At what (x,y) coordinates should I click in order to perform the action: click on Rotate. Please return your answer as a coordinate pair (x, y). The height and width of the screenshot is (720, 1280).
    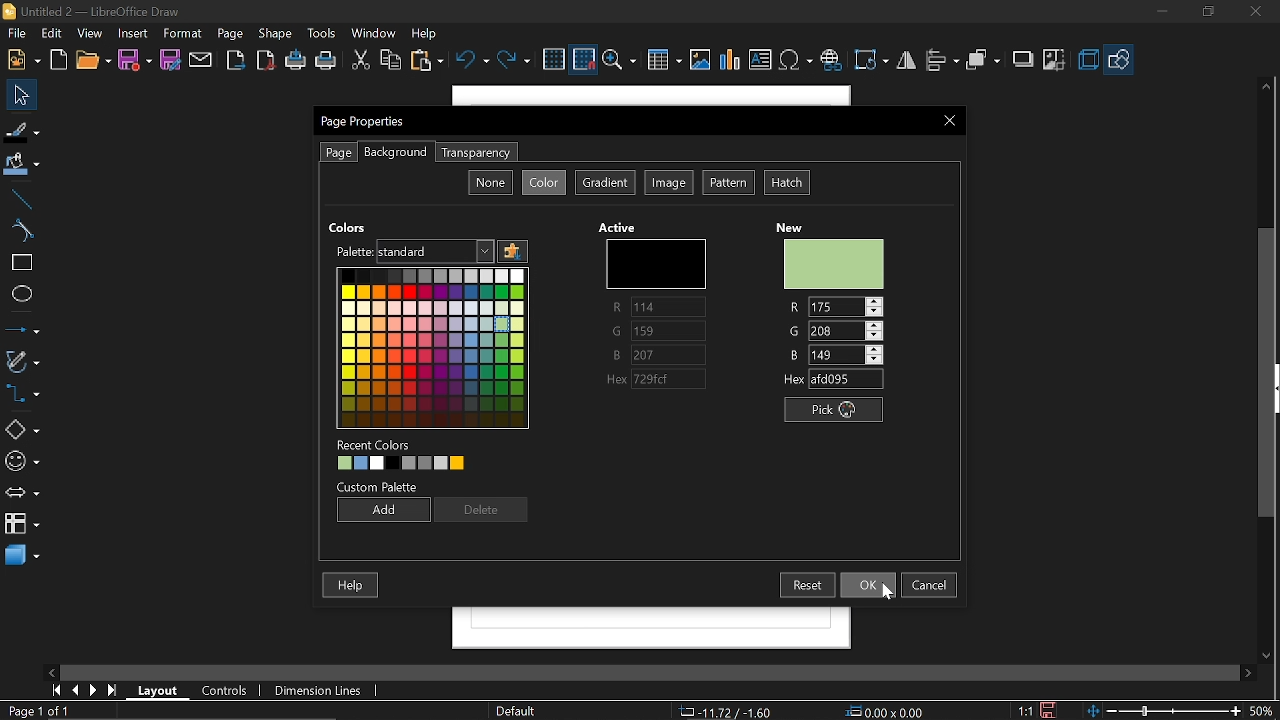
    Looking at the image, I should click on (872, 61).